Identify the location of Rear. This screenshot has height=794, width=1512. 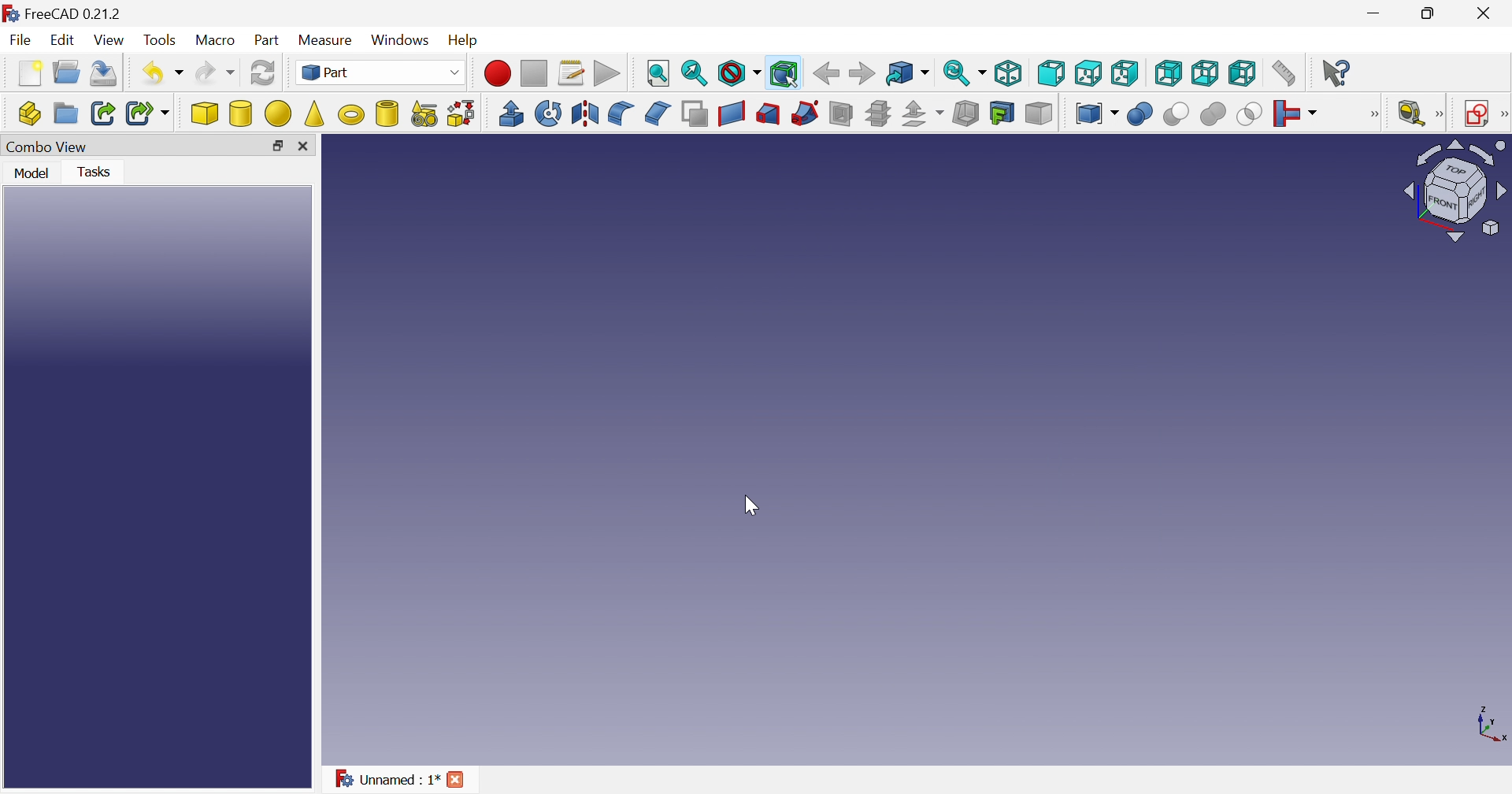
(1167, 72).